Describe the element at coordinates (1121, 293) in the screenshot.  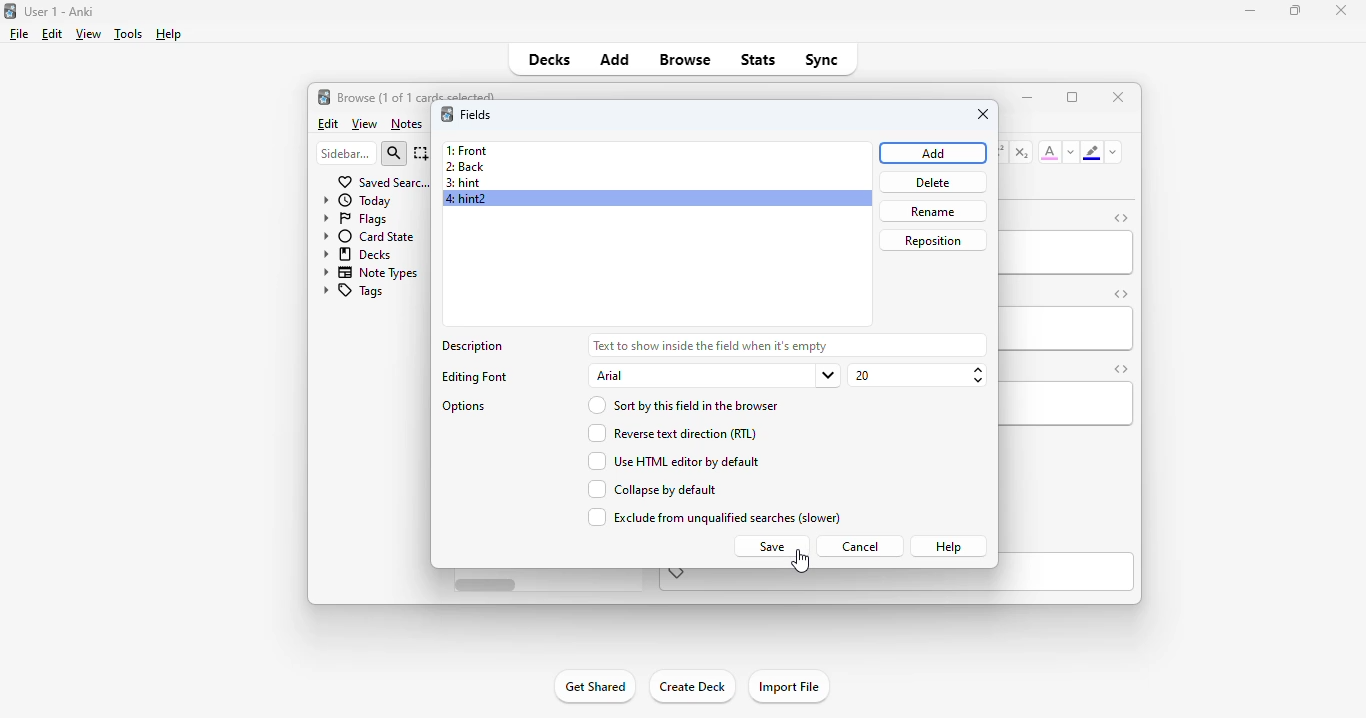
I see `toggle HTML editor` at that location.